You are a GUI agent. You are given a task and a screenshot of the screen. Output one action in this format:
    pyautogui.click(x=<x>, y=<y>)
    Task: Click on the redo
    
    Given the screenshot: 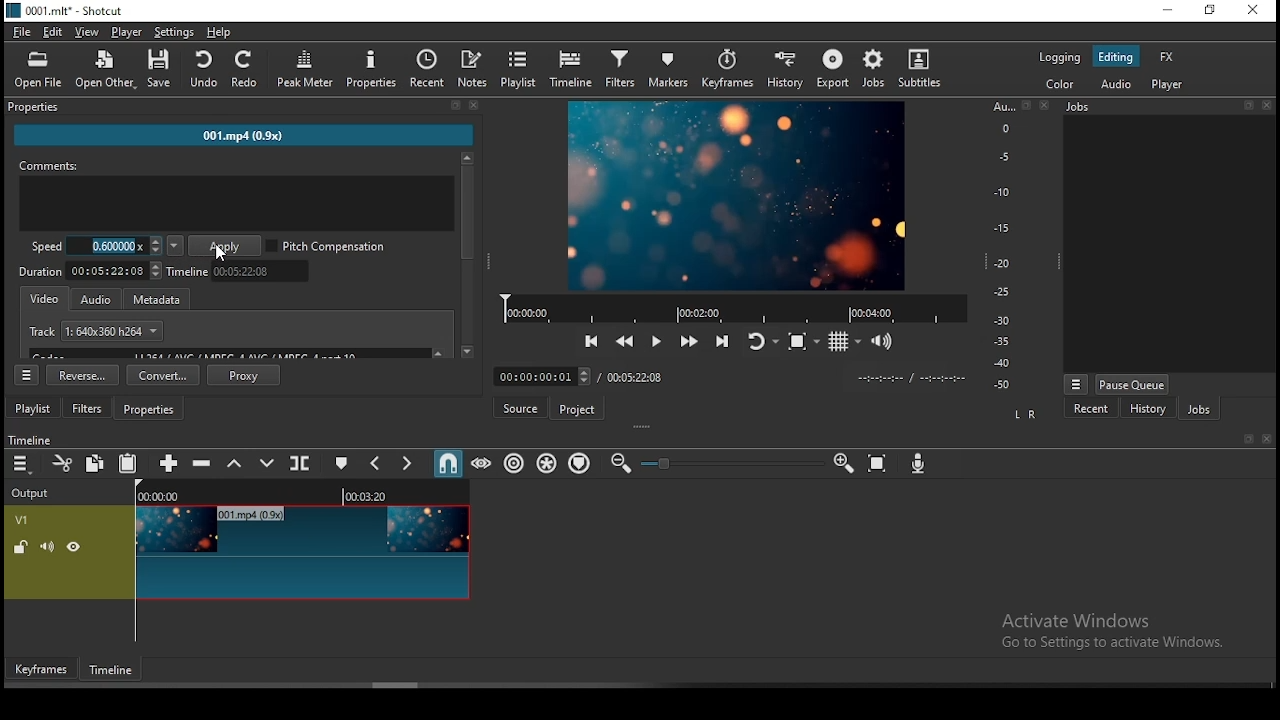 What is the action you would take?
    pyautogui.click(x=248, y=69)
    